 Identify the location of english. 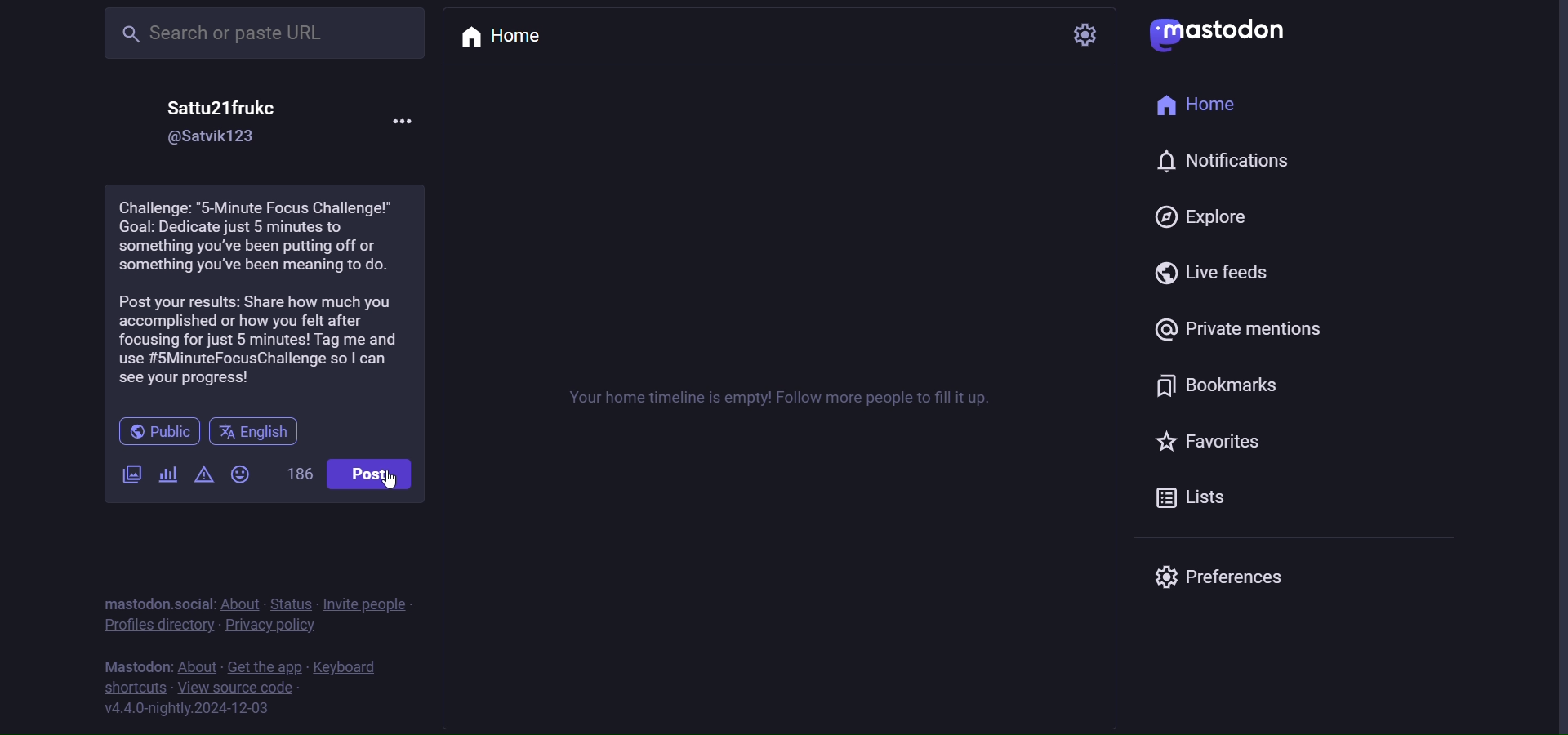
(262, 431).